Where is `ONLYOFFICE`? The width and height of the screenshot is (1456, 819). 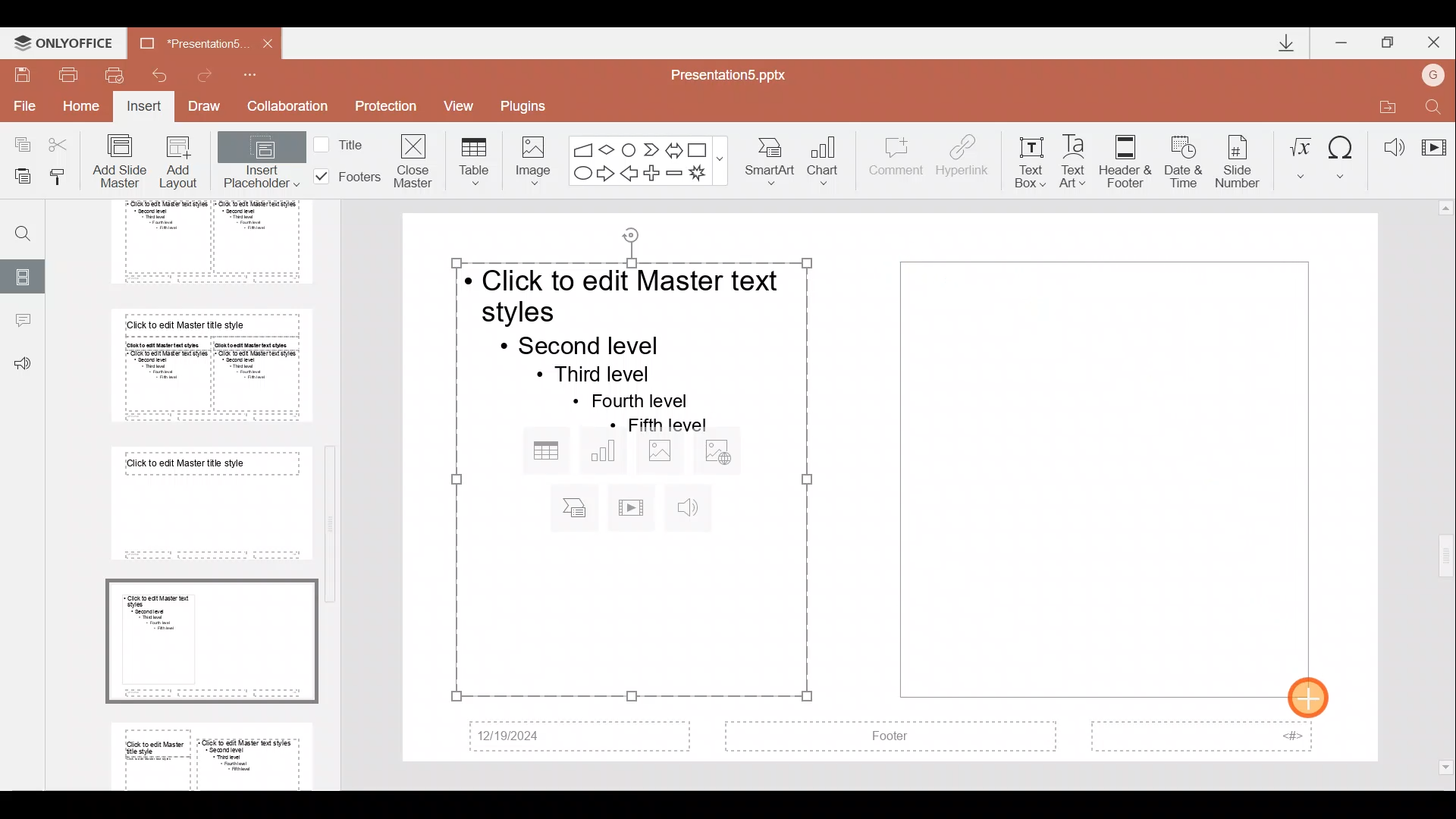 ONLYOFFICE is located at coordinates (63, 39).